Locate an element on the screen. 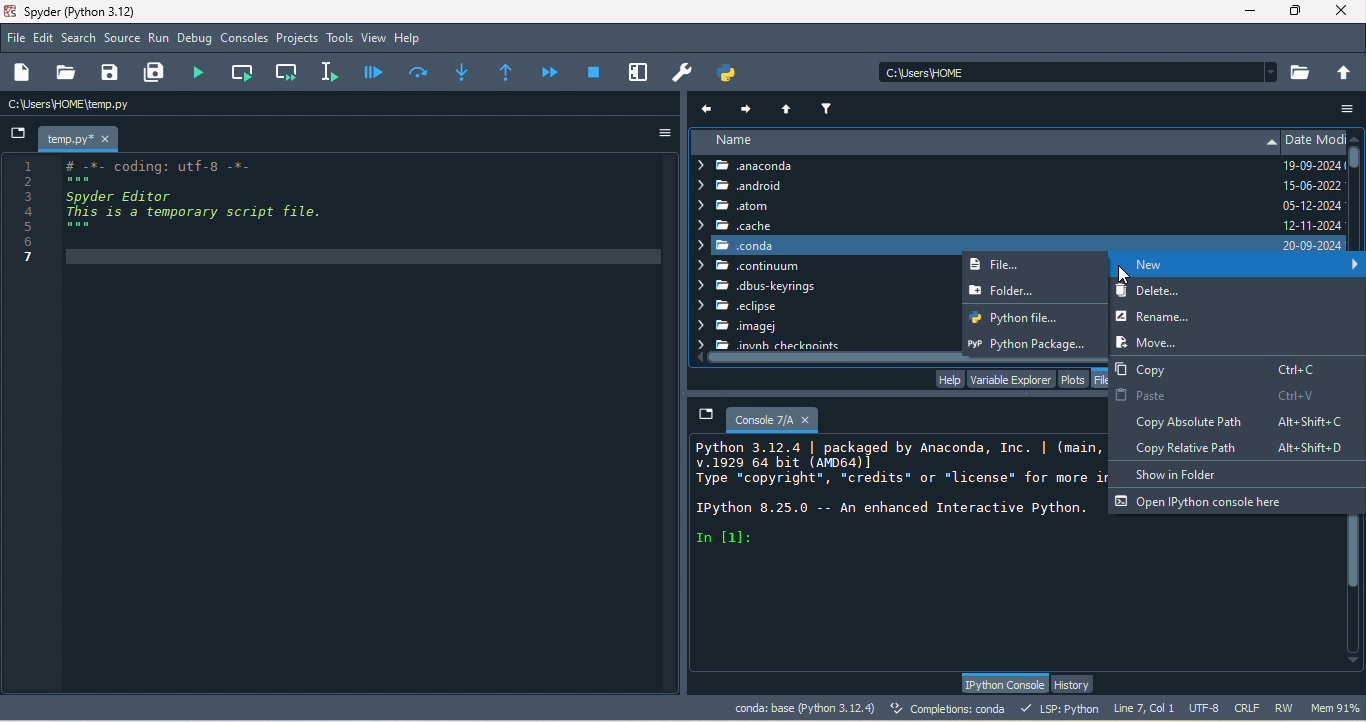 The width and height of the screenshot is (1366, 722). more option is located at coordinates (1349, 108).